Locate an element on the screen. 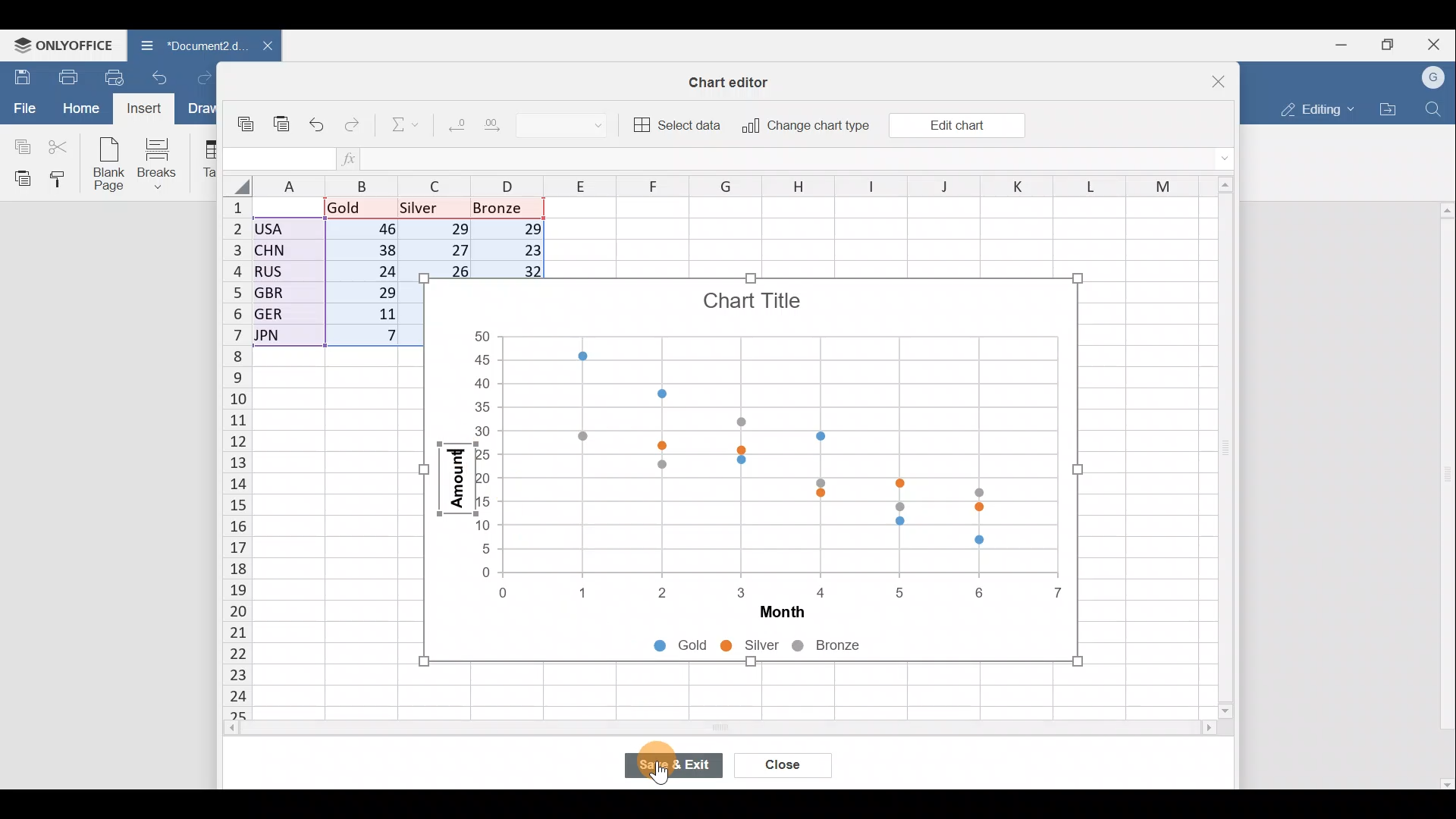 The width and height of the screenshot is (1456, 819). Close is located at coordinates (783, 765).